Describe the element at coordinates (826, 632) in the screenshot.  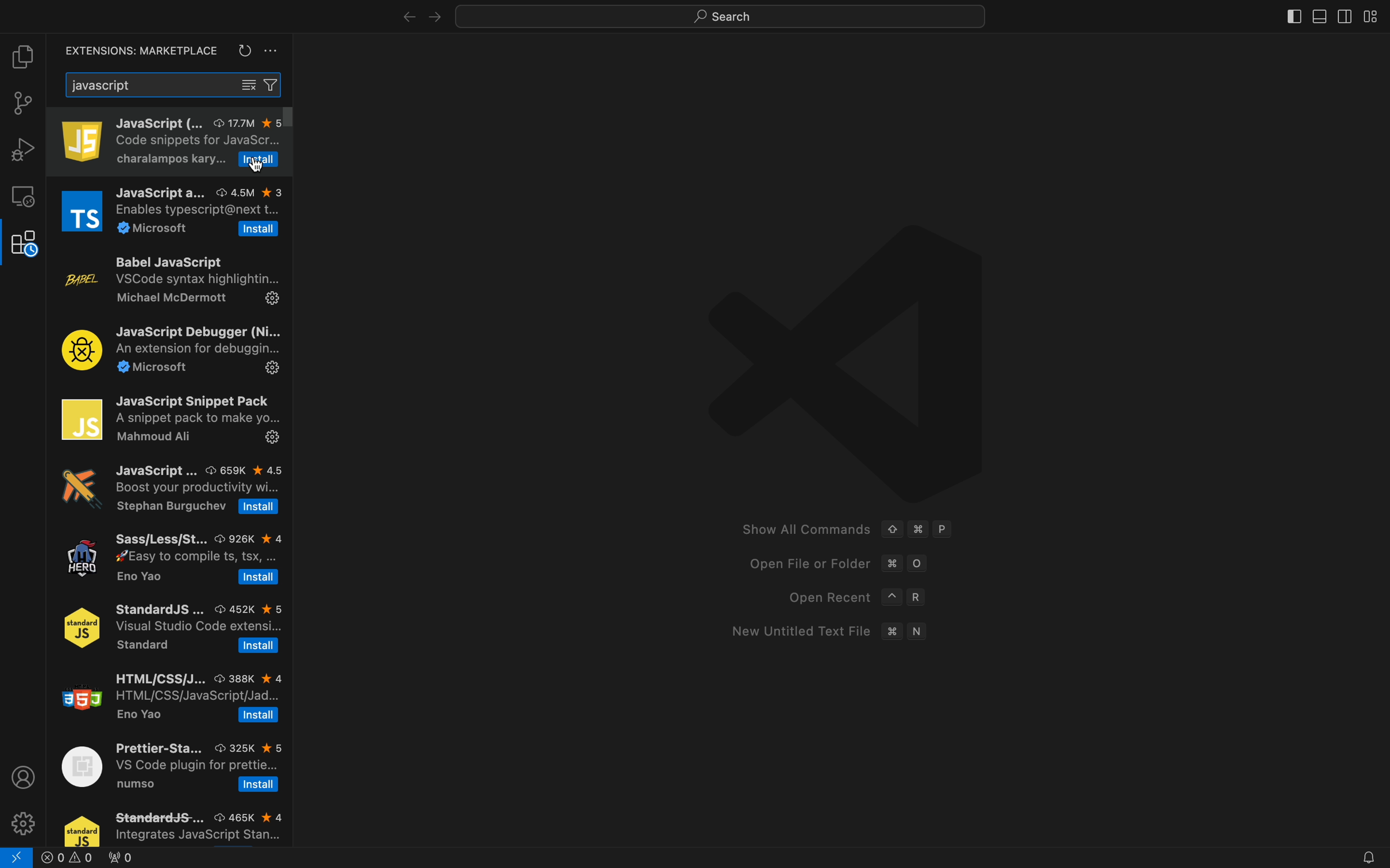
I see `new untitled text file` at that location.